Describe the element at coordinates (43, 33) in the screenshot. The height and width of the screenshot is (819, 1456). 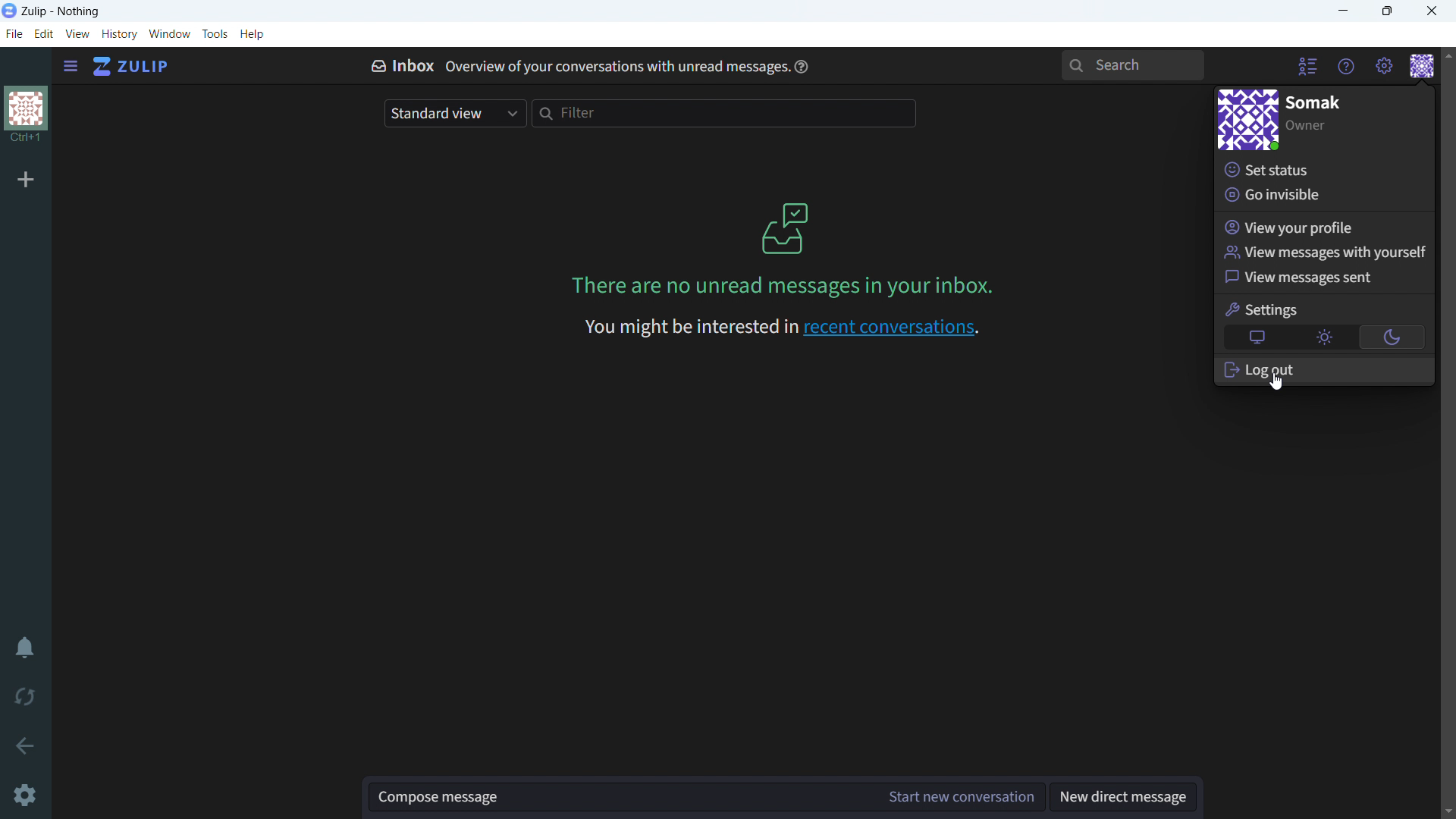
I see `edit` at that location.